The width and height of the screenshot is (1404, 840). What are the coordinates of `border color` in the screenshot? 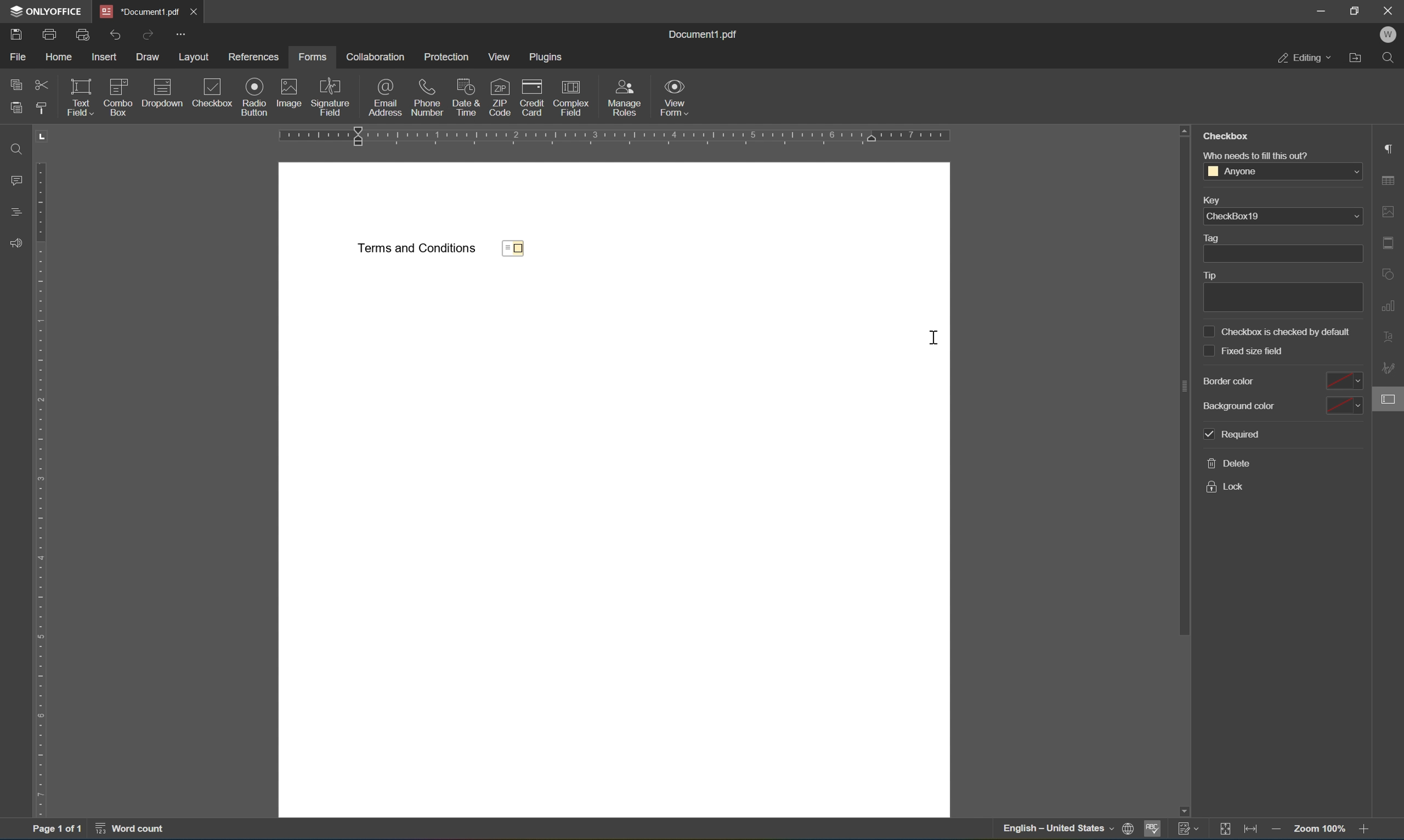 It's located at (1279, 382).